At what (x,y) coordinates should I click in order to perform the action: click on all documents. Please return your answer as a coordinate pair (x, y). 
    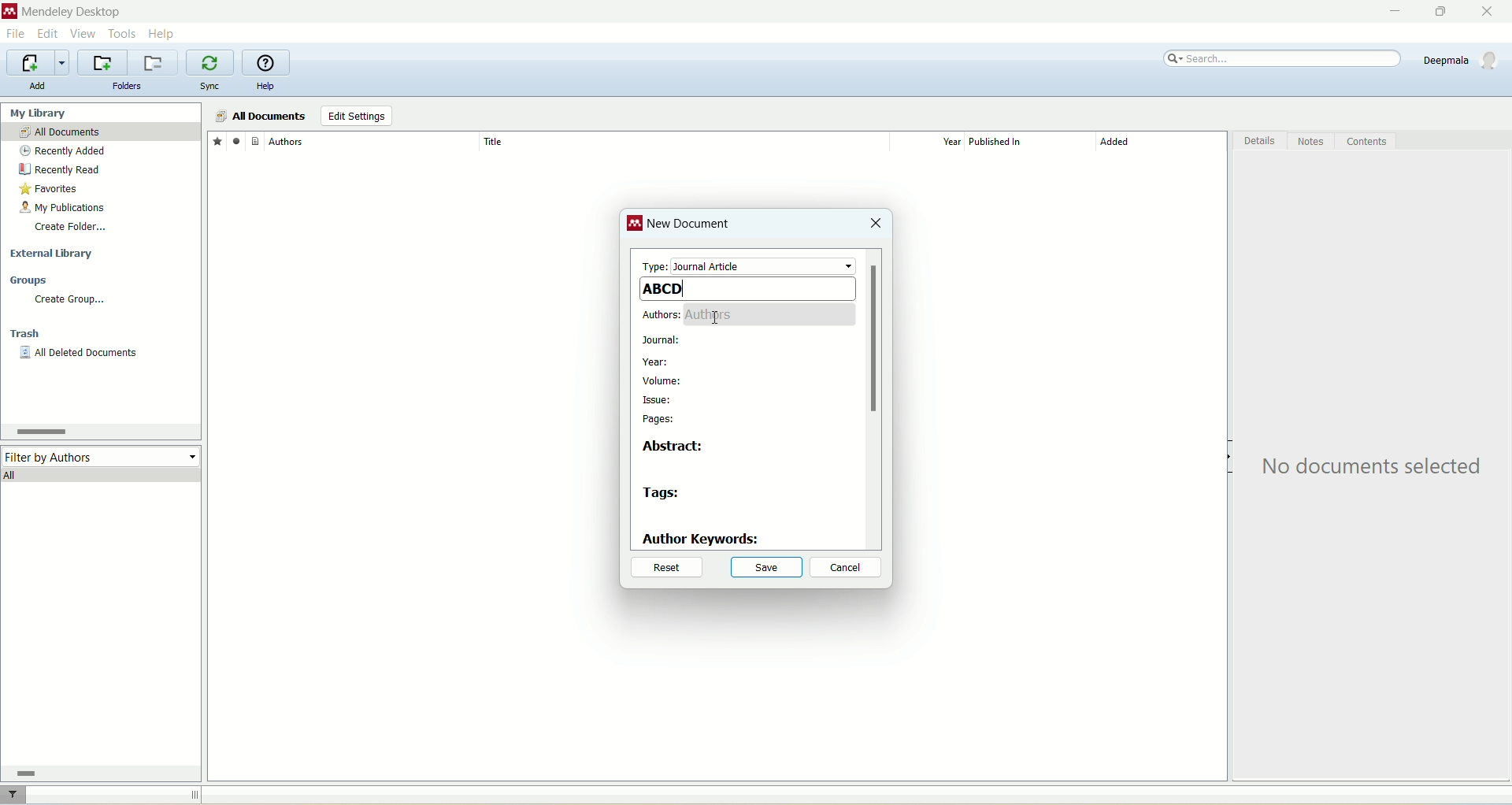
    Looking at the image, I should click on (101, 132).